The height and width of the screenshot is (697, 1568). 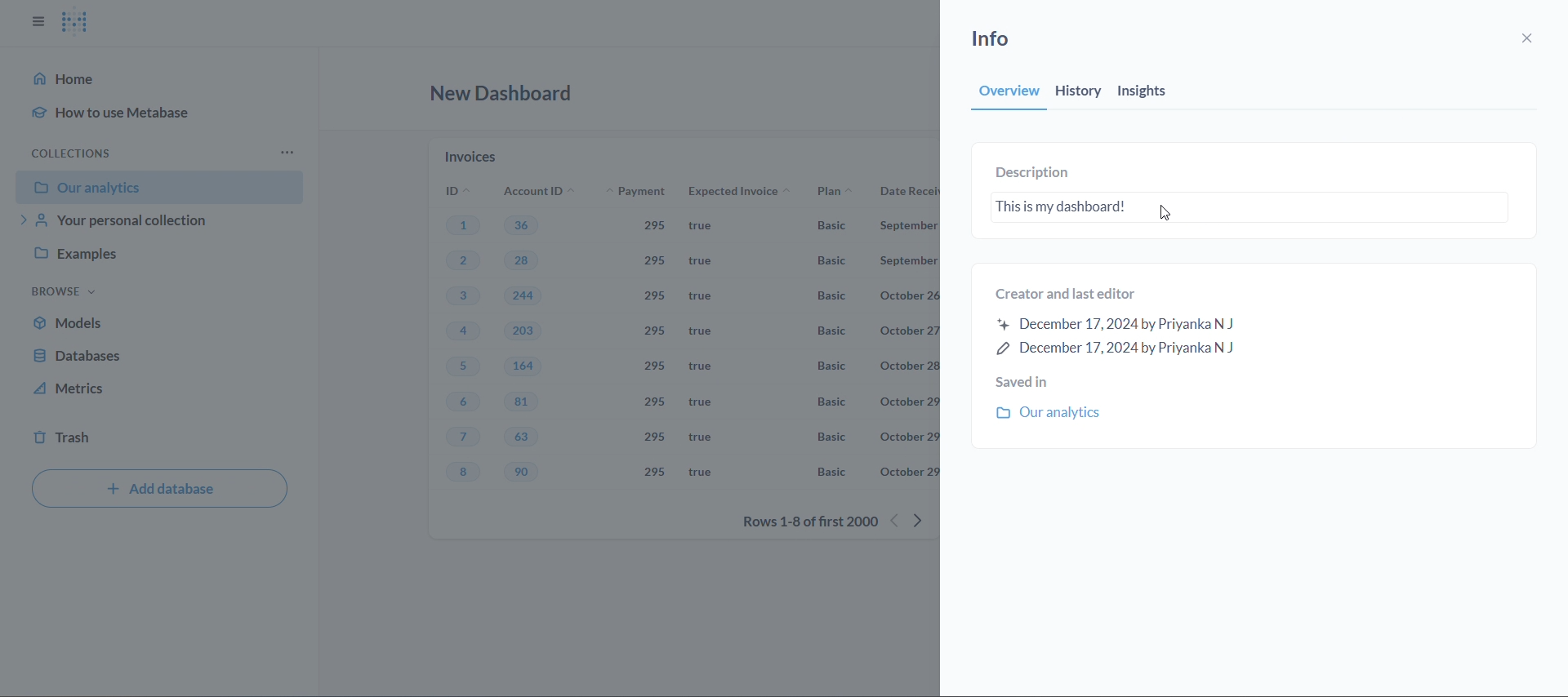 What do you see at coordinates (128, 109) in the screenshot?
I see `how to use metabase` at bounding box center [128, 109].